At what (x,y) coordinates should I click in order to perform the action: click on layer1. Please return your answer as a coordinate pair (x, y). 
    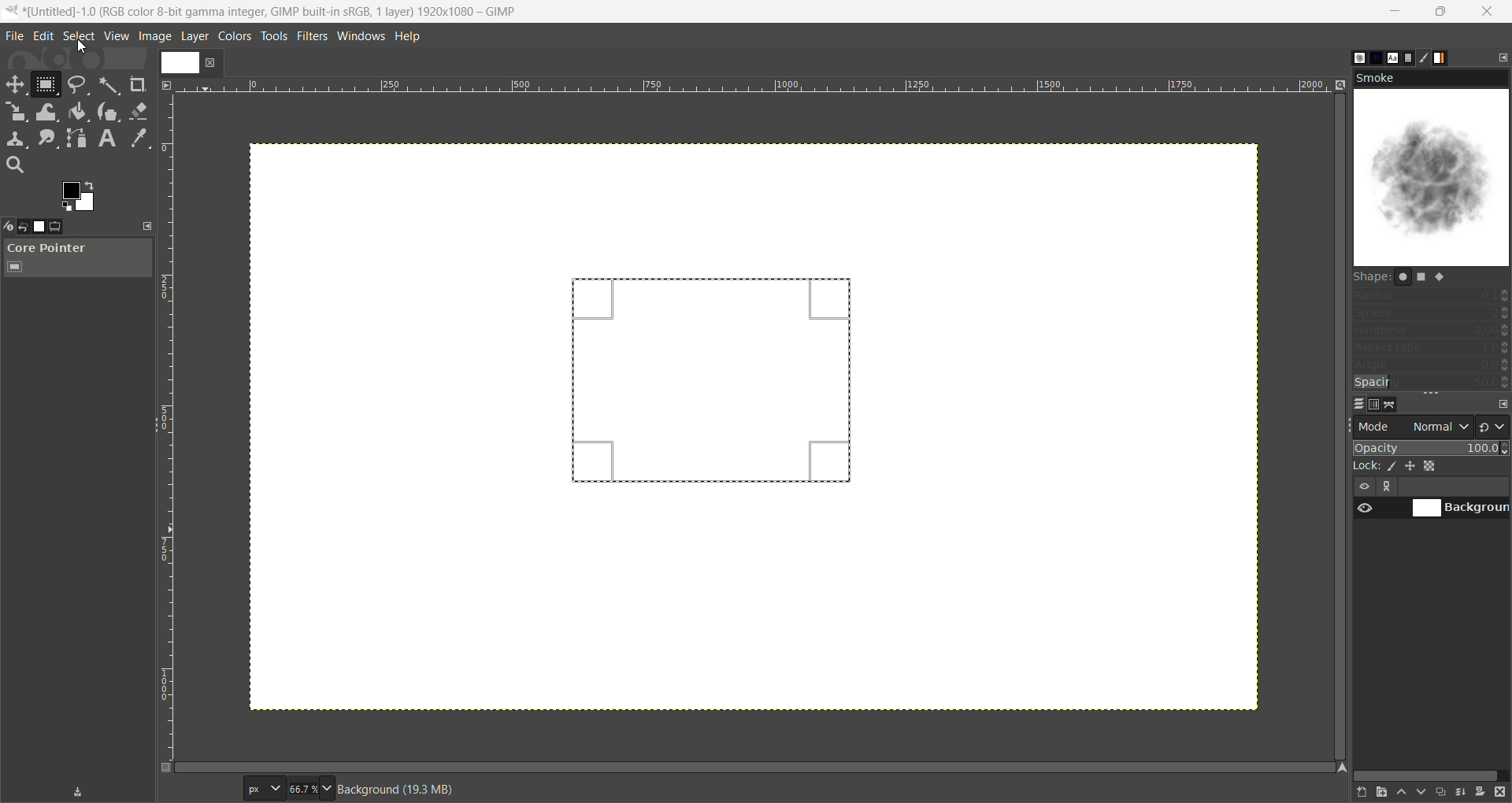
    Looking at the image, I should click on (192, 64).